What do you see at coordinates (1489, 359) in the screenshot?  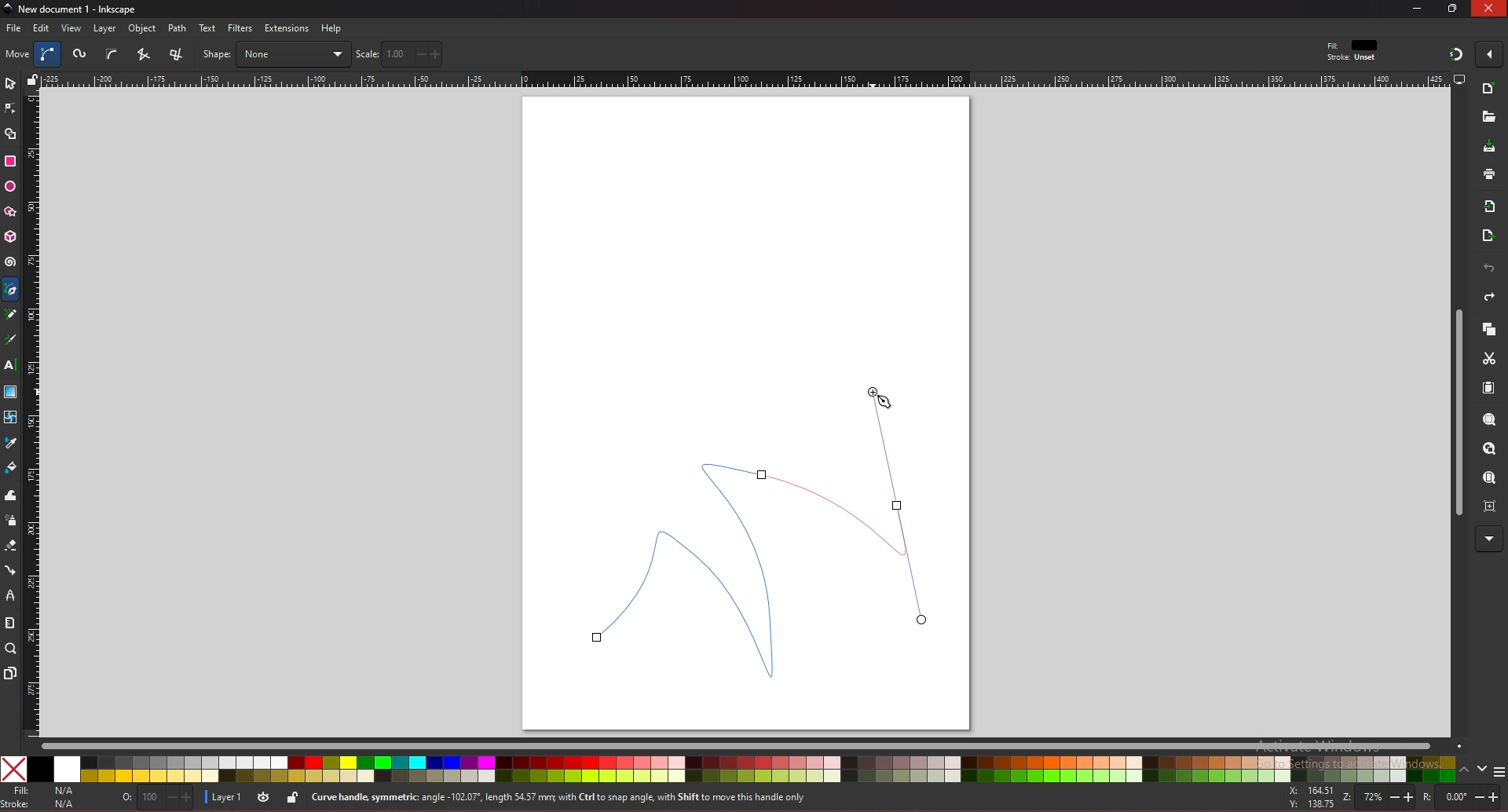 I see `cut` at bounding box center [1489, 359].